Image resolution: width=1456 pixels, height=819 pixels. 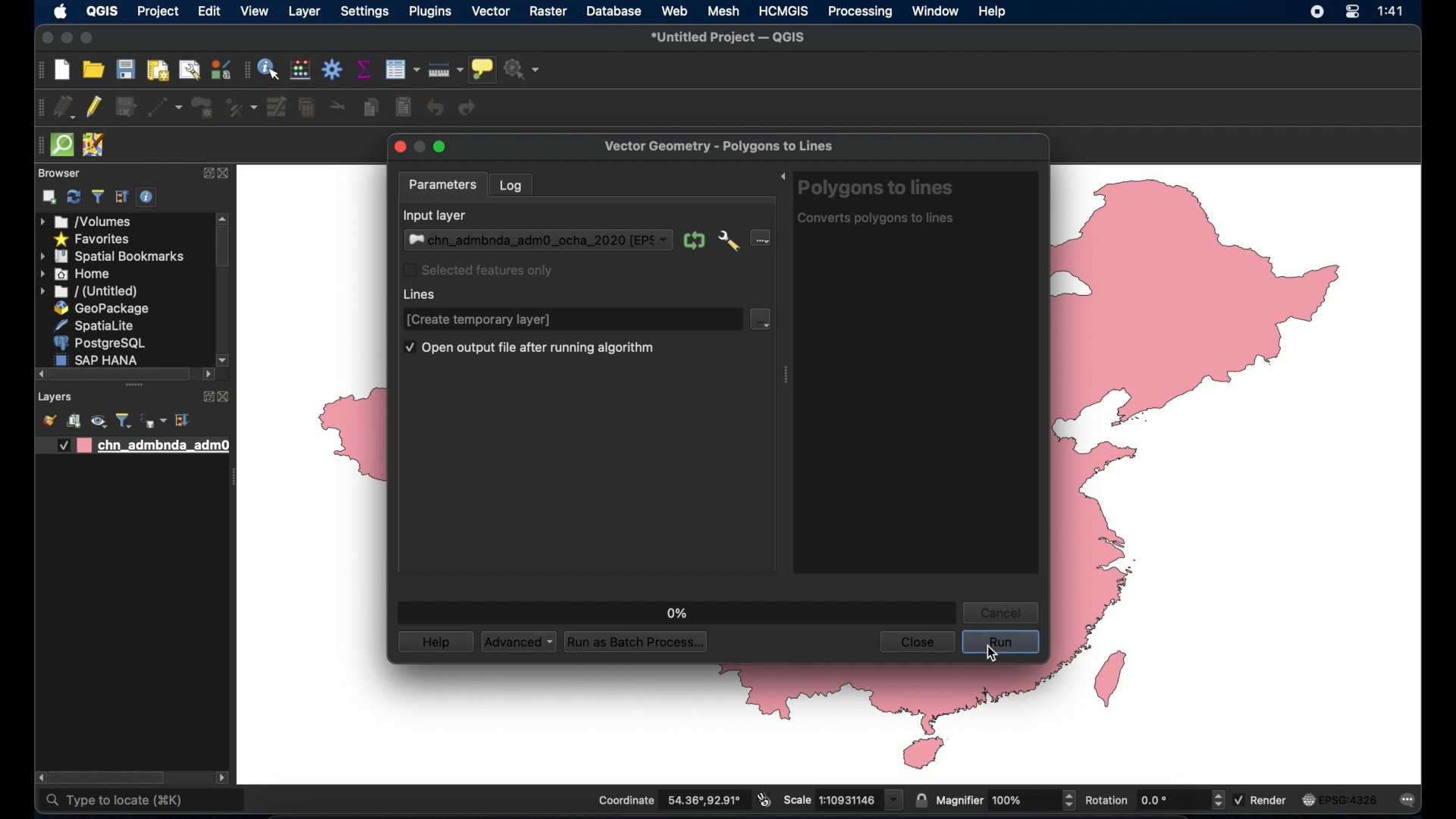 What do you see at coordinates (224, 779) in the screenshot?
I see `scrol. lleft arrow` at bounding box center [224, 779].